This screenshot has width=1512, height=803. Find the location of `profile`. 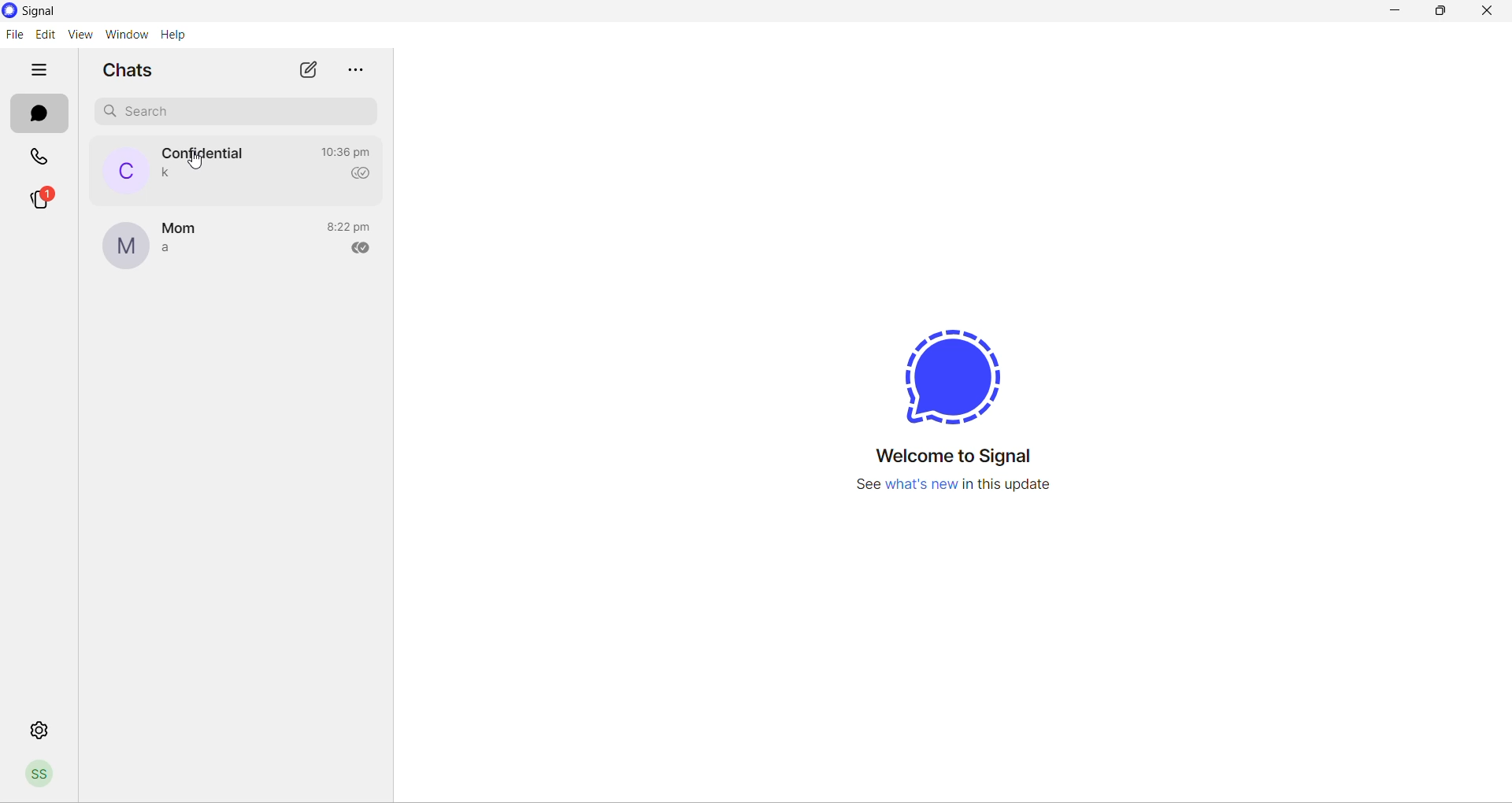

profile is located at coordinates (46, 775).